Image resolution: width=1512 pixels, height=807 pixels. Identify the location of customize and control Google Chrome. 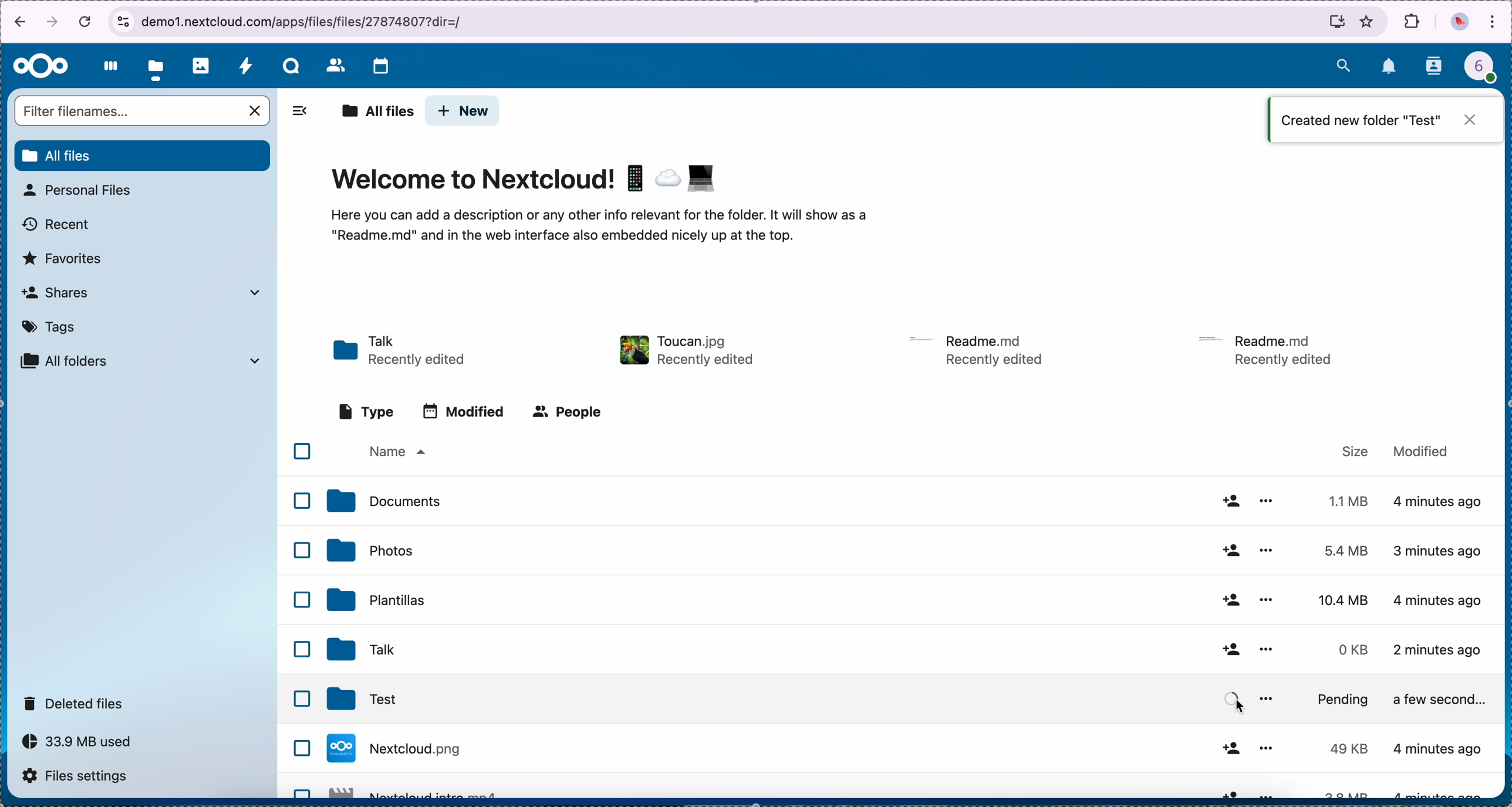
(1493, 23).